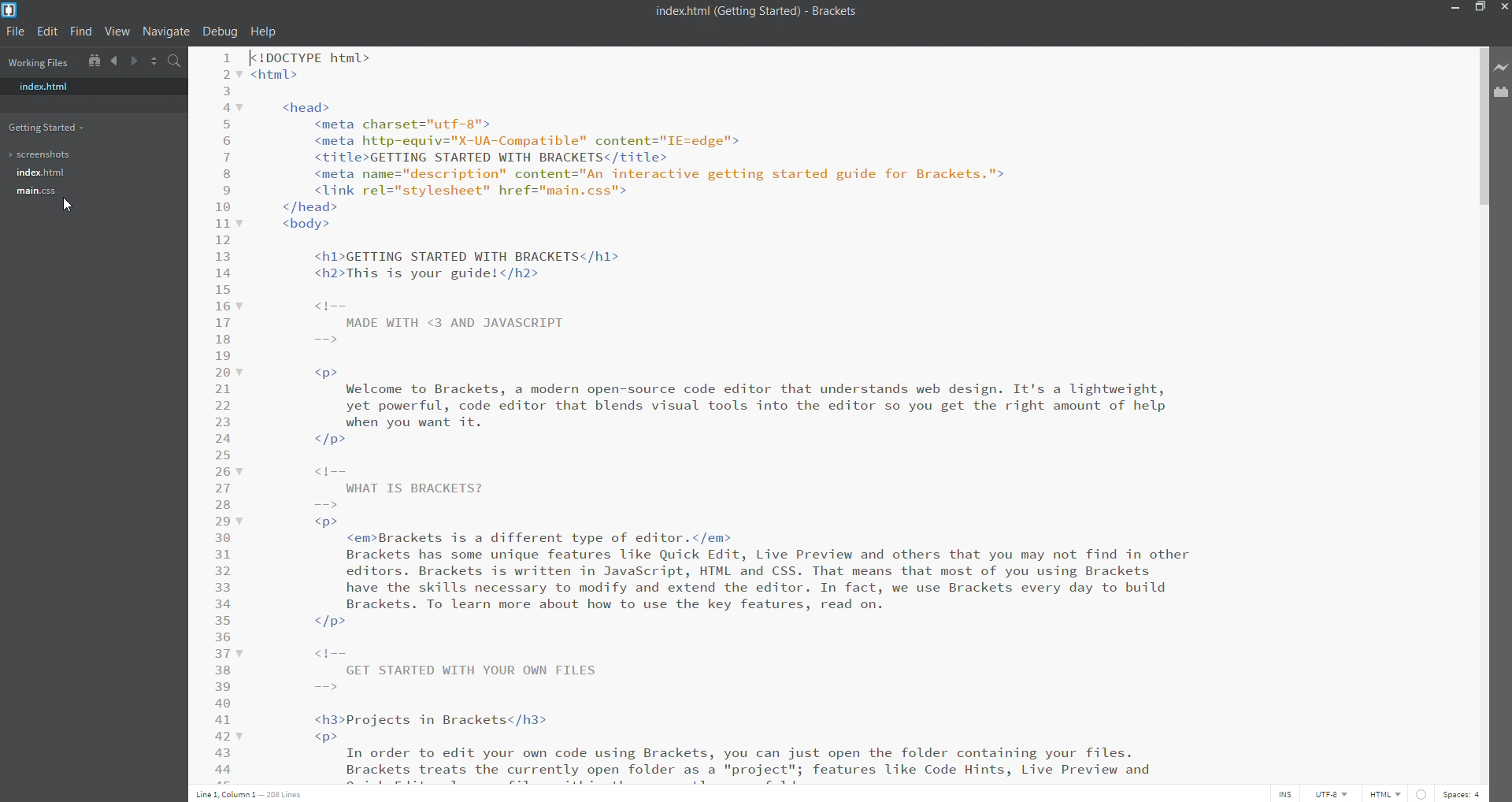 The height and width of the screenshot is (802, 1512). I want to click on working  files, so click(41, 61).